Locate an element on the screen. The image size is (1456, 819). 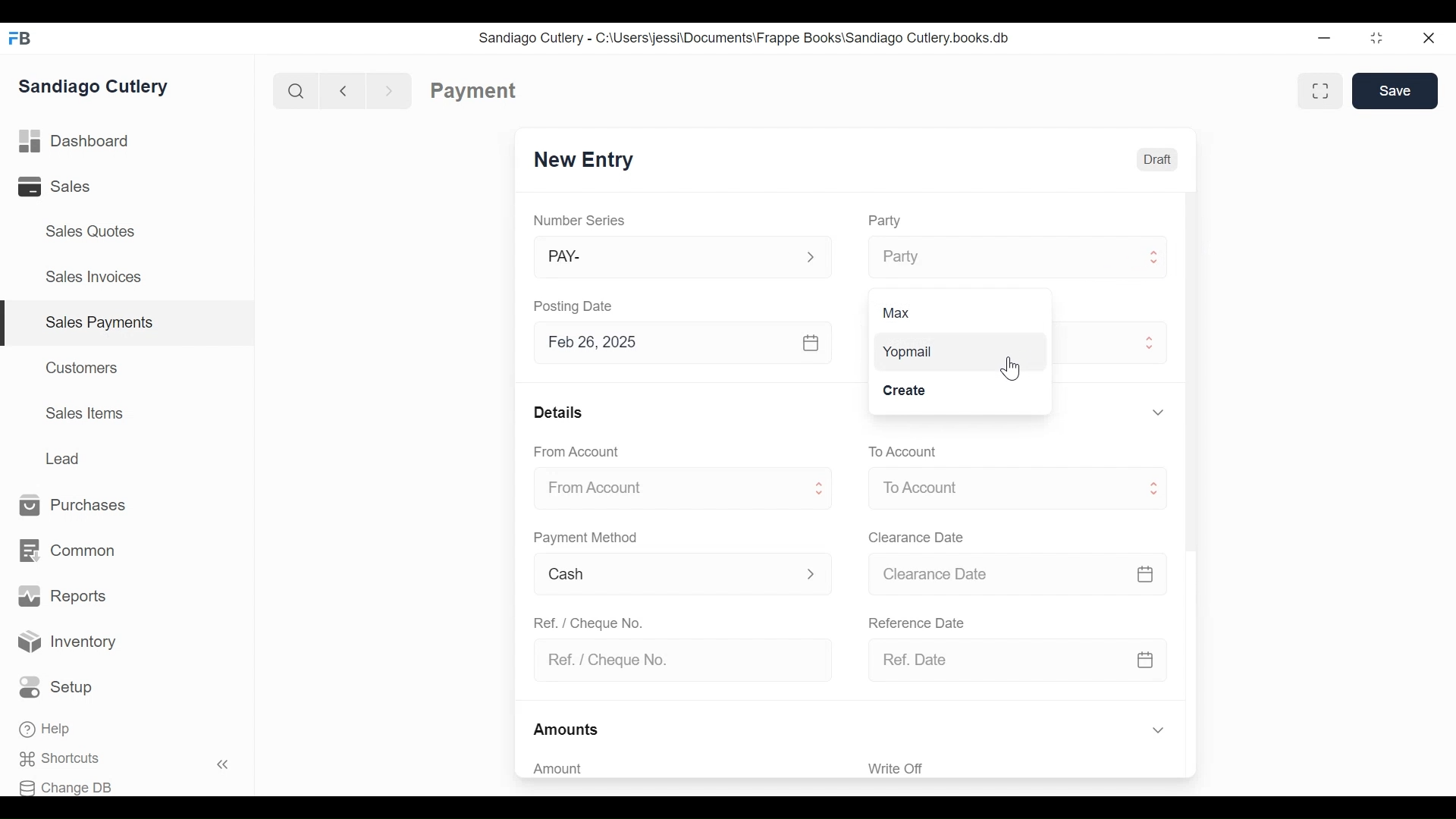
Payment is located at coordinates (474, 91).